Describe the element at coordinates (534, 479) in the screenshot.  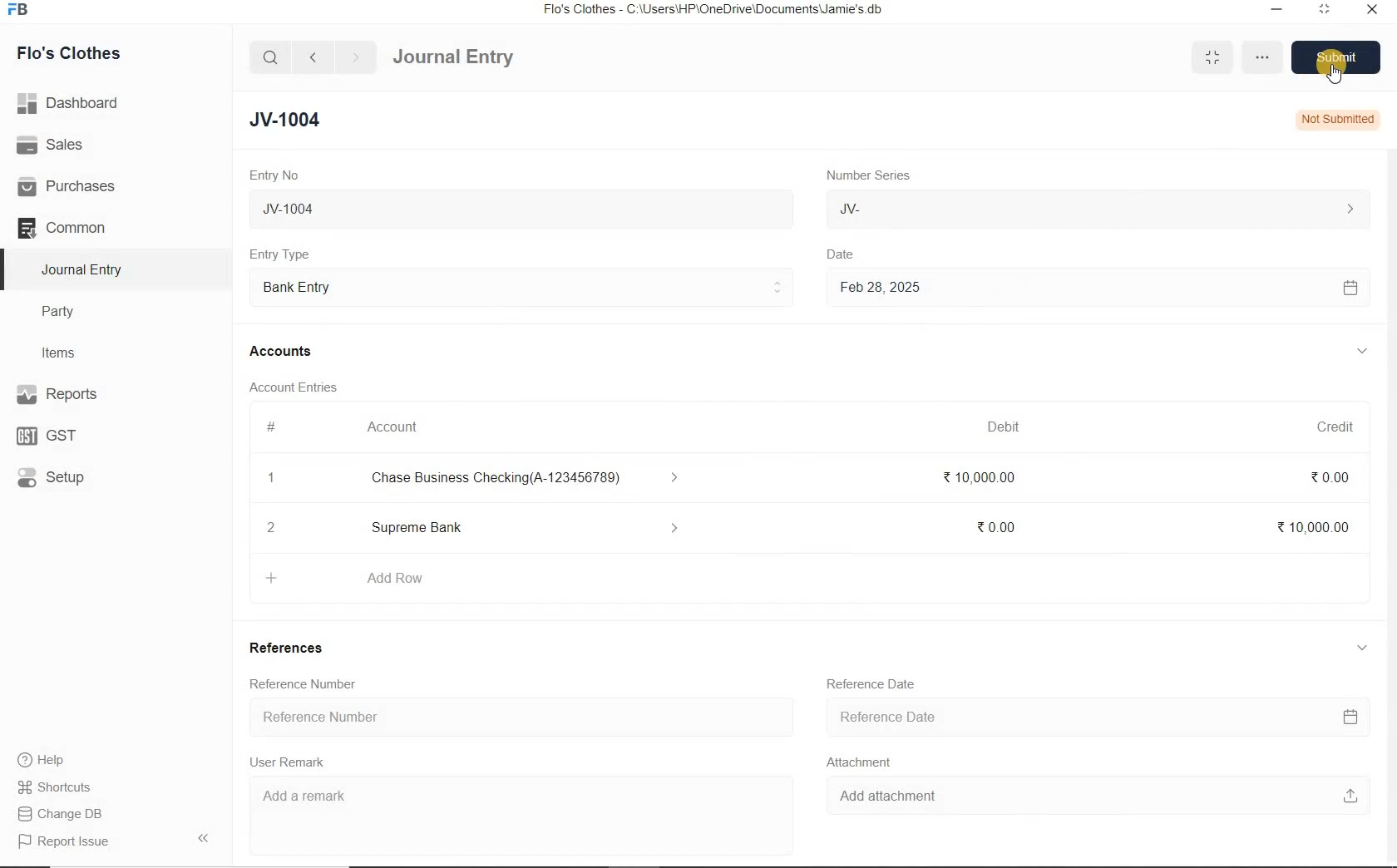
I see `Chase Business Checking(A-123456789)` at that location.